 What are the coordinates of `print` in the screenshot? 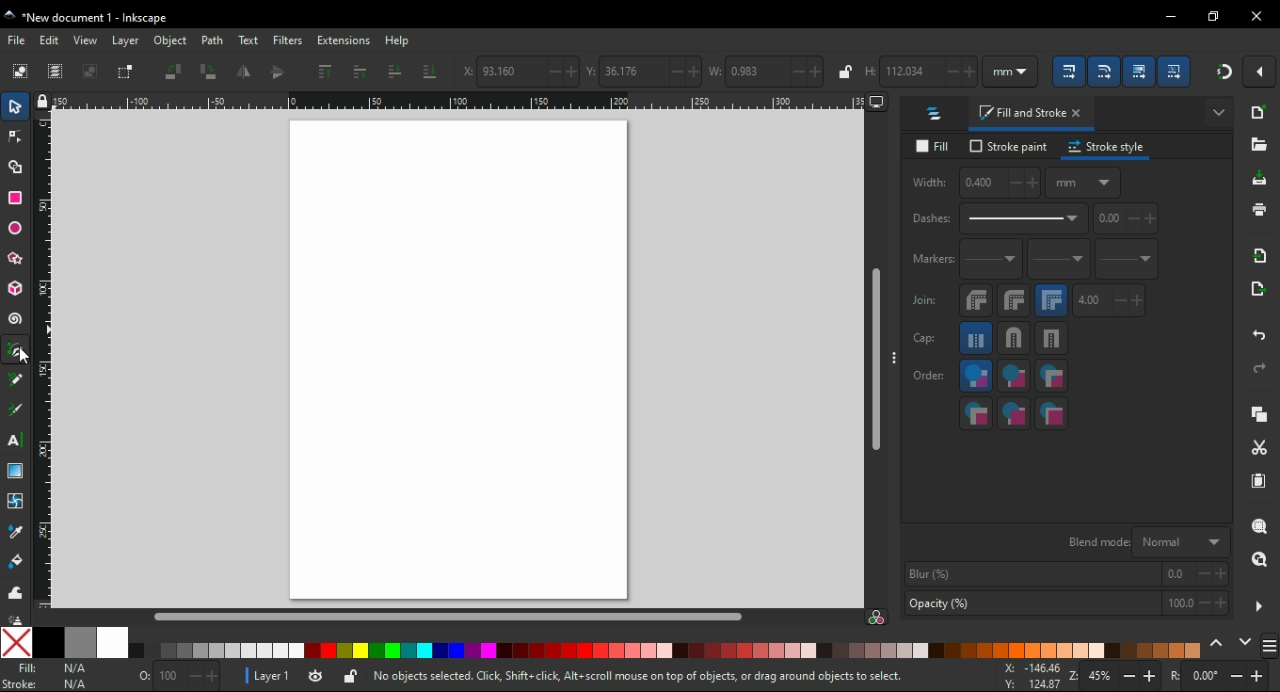 It's located at (1258, 209).